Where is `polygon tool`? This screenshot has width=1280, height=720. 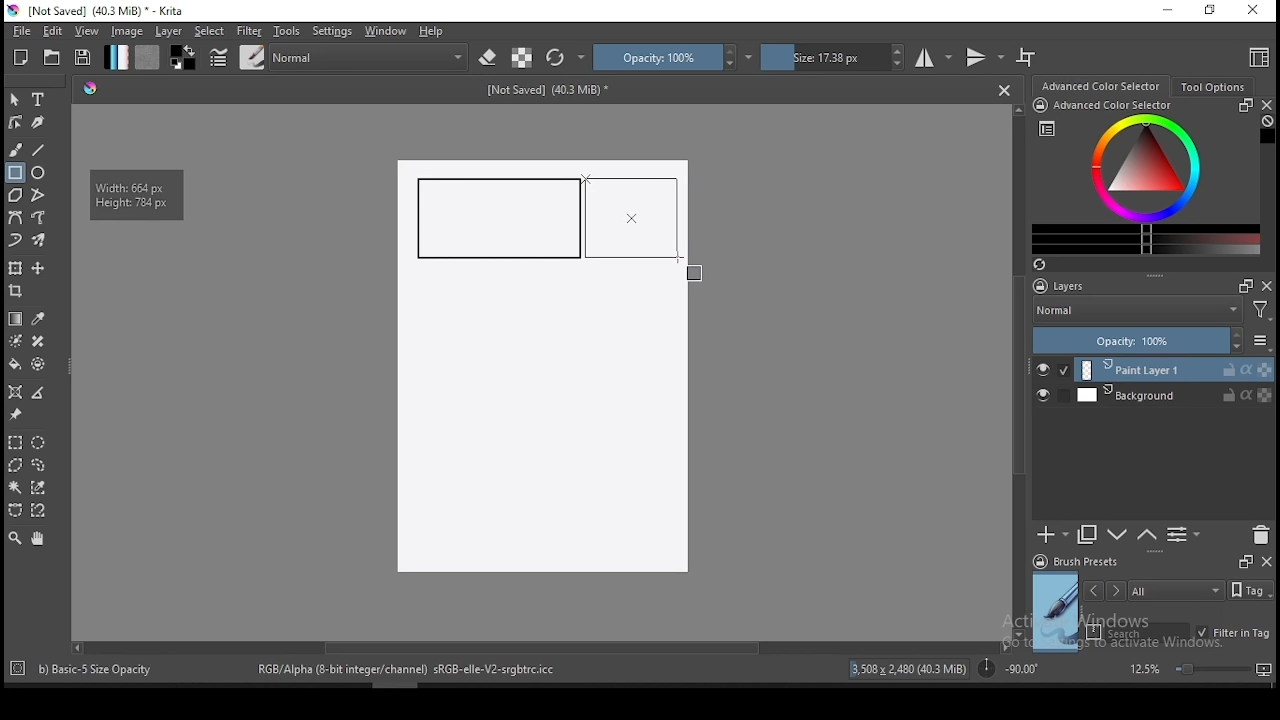 polygon tool is located at coordinates (14, 195).